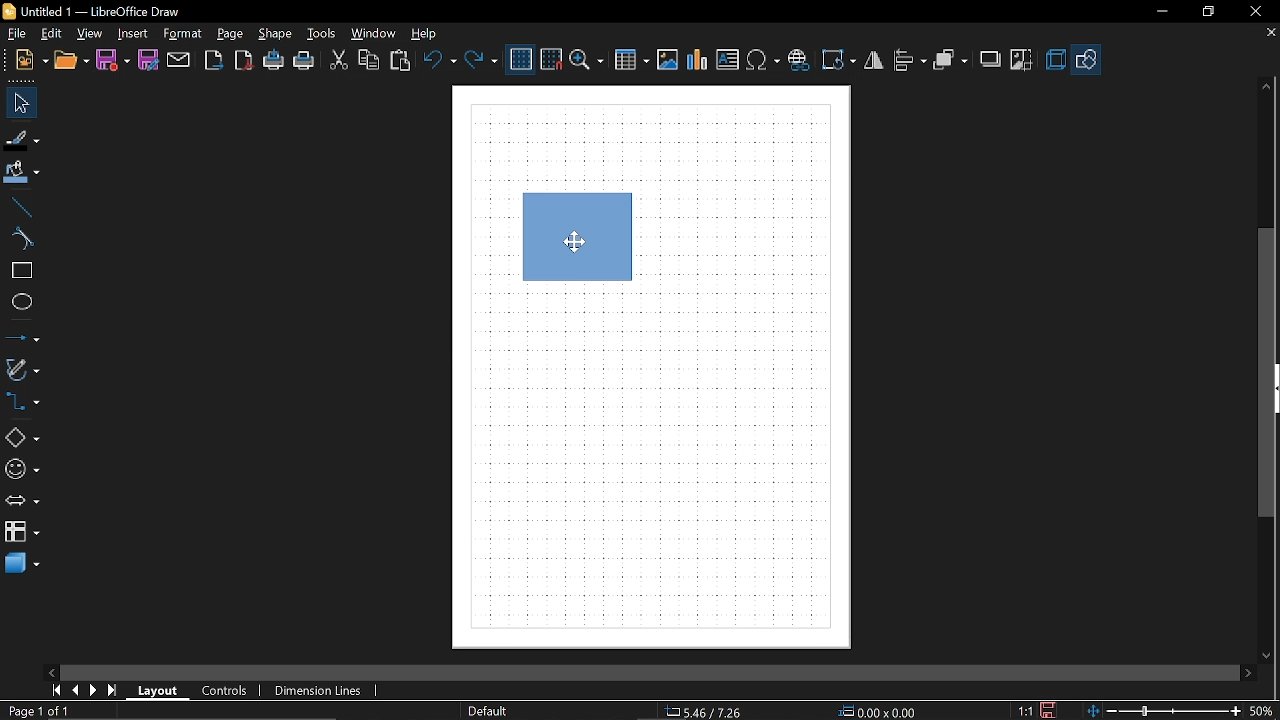 The width and height of the screenshot is (1280, 720). I want to click on Export, so click(213, 61).